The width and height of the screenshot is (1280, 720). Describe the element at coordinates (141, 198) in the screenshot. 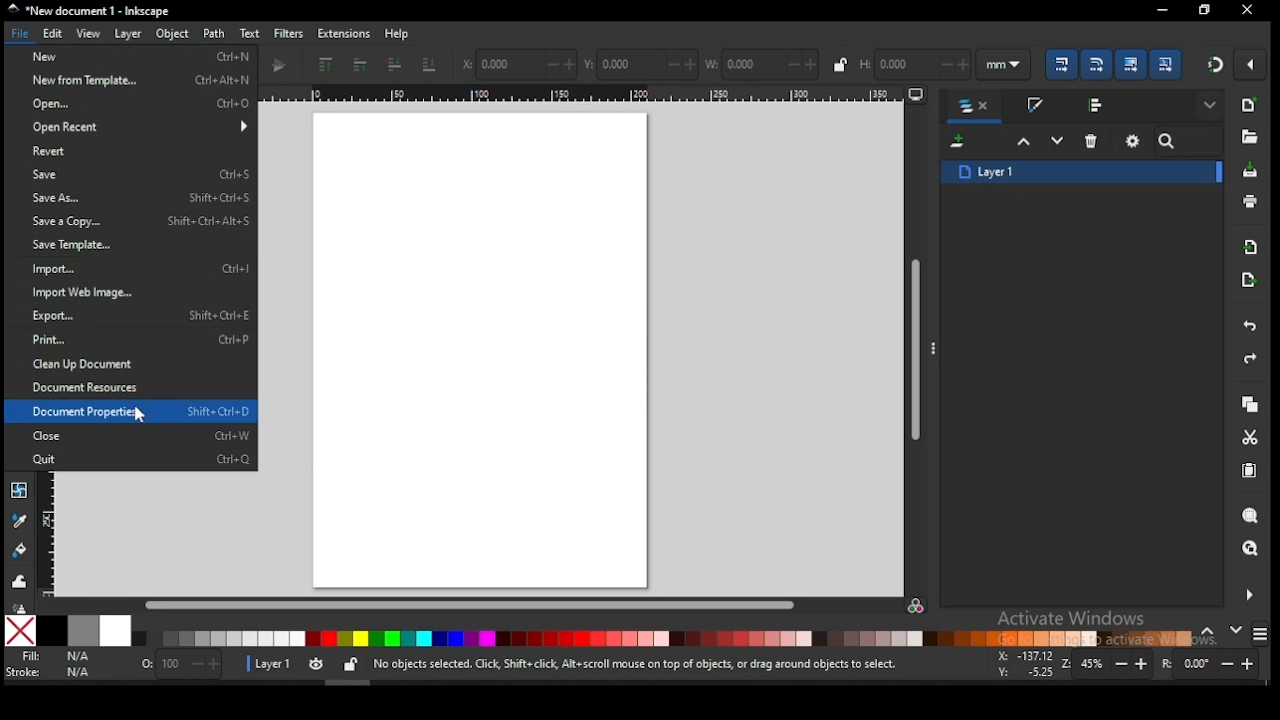

I see `save as` at that location.